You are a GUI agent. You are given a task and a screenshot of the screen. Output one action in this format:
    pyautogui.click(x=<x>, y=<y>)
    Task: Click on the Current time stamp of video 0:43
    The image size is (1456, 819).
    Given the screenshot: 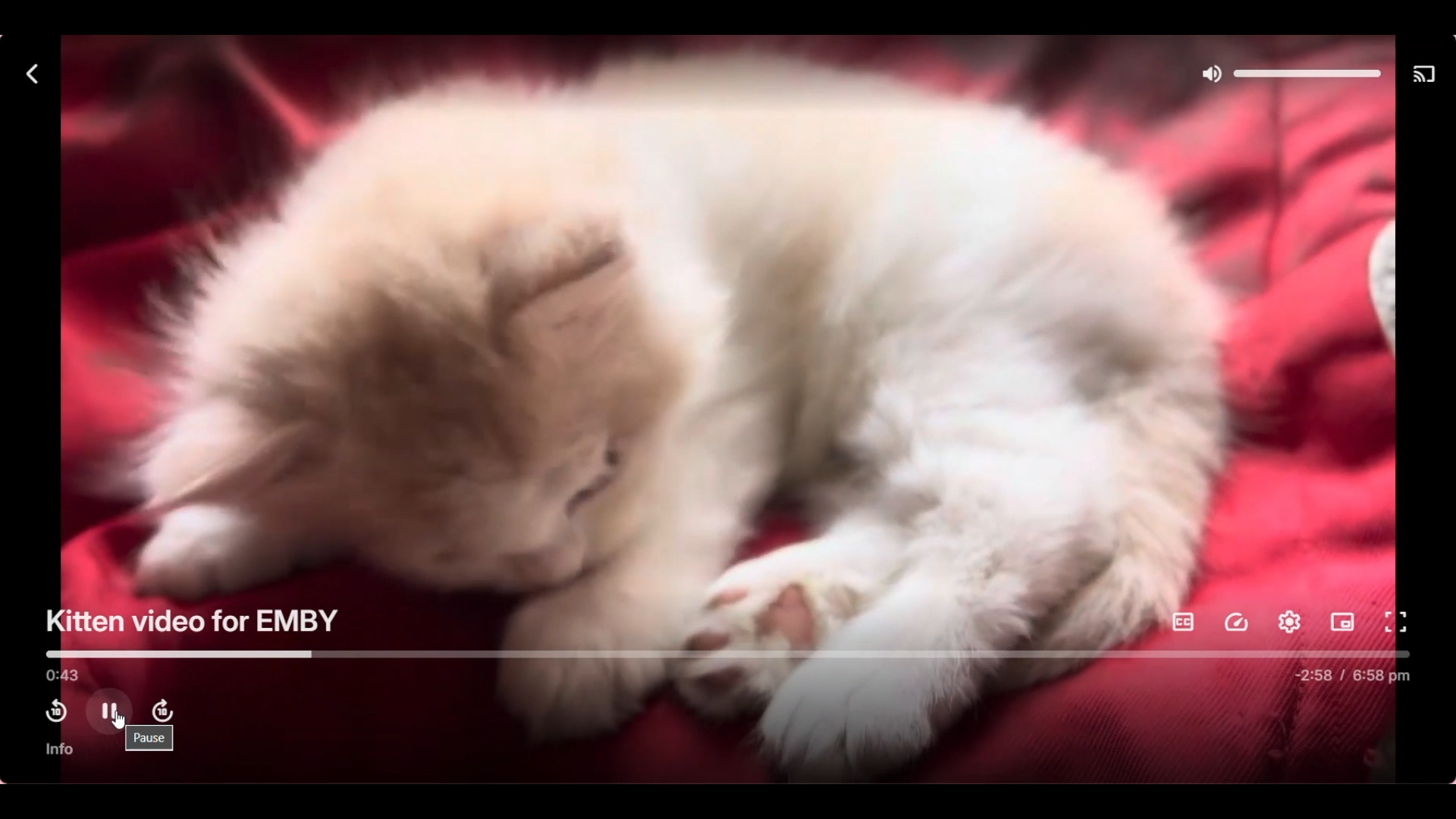 What is the action you would take?
    pyautogui.click(x=60, y=676)
    